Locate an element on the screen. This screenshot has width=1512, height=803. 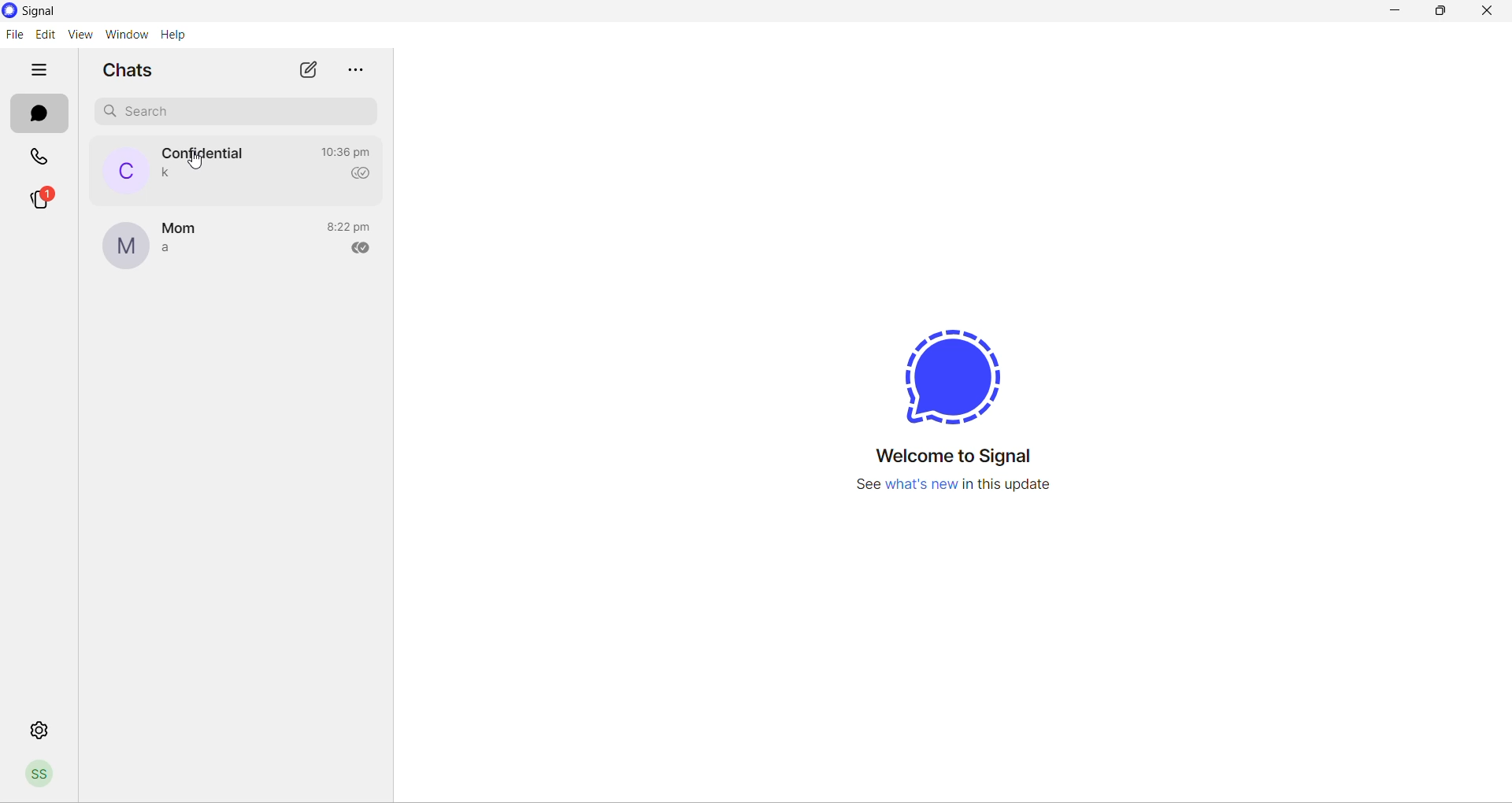
close is located at coordinates (1492, 16).